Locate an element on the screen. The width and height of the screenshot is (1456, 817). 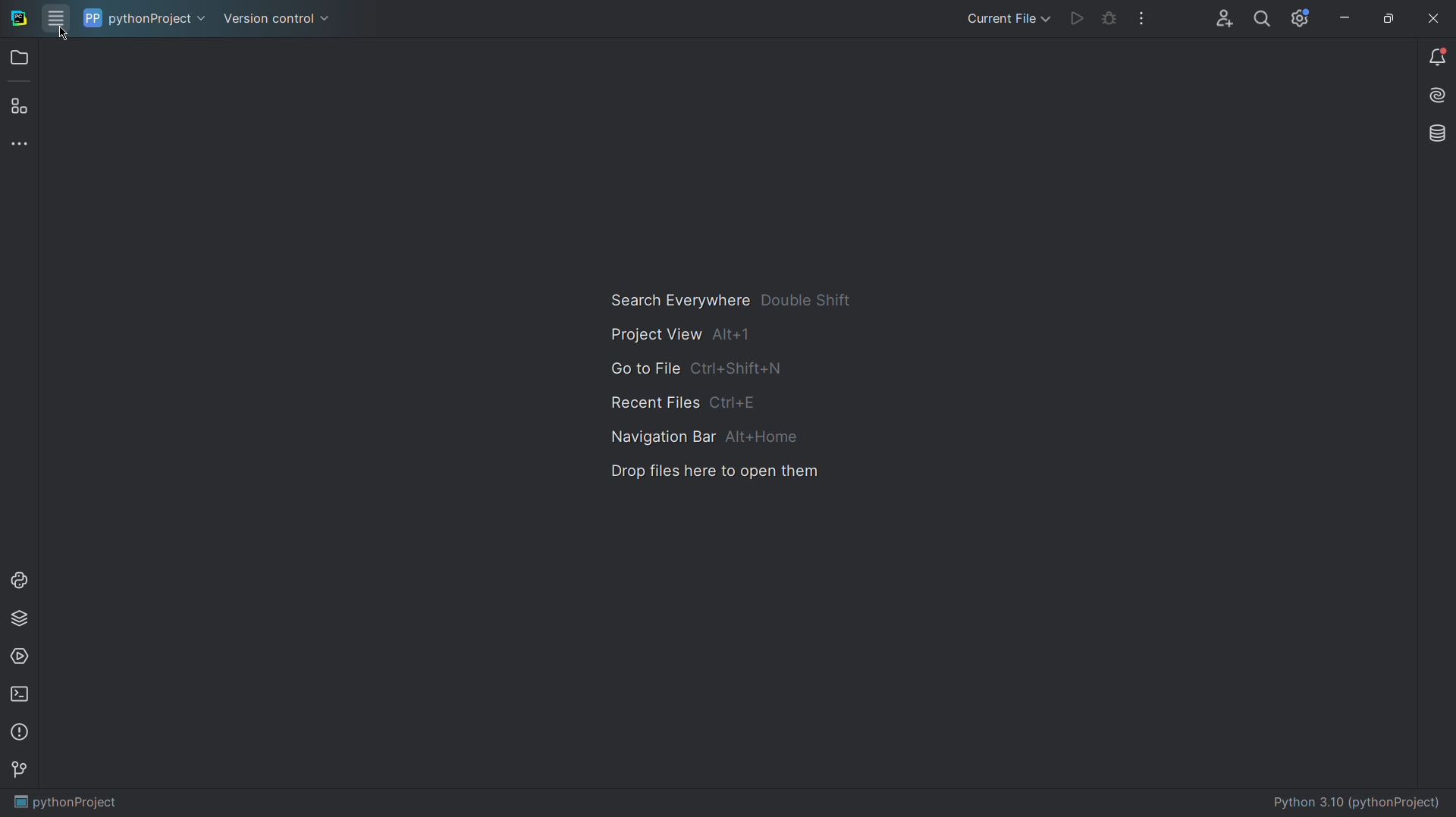
Search Everywhere is located at coordinates (731, 305).